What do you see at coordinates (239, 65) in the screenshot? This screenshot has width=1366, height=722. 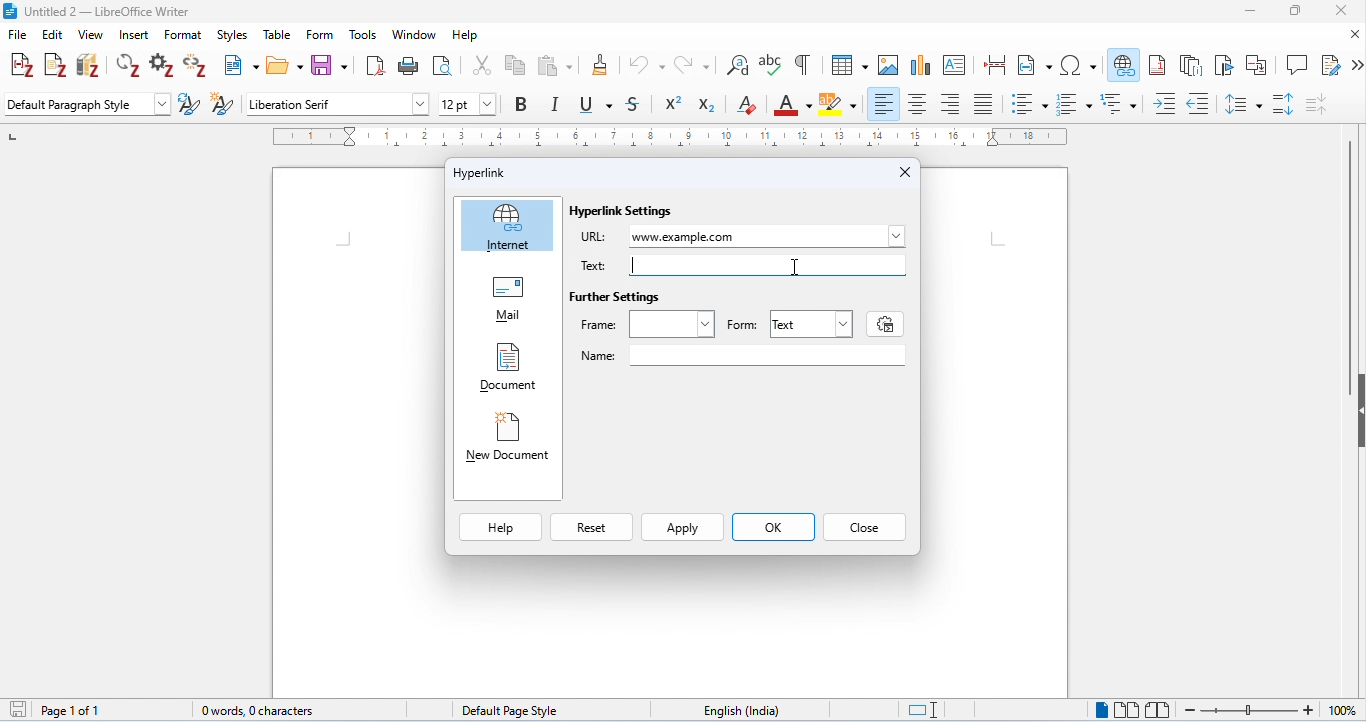 I see `new` at bounding box center [239, 65].